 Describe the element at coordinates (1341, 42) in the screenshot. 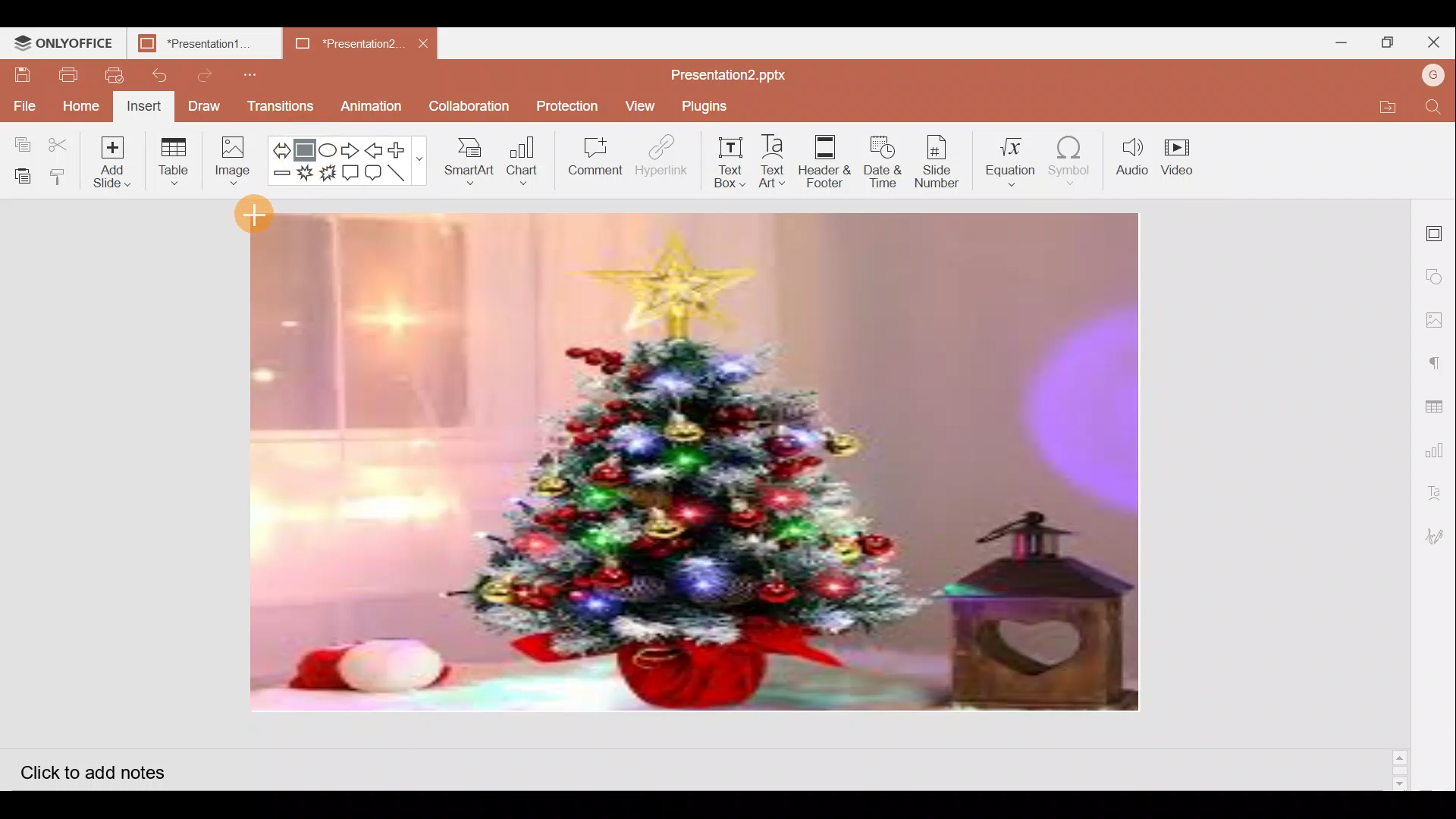

I see `Minimize` at that location.